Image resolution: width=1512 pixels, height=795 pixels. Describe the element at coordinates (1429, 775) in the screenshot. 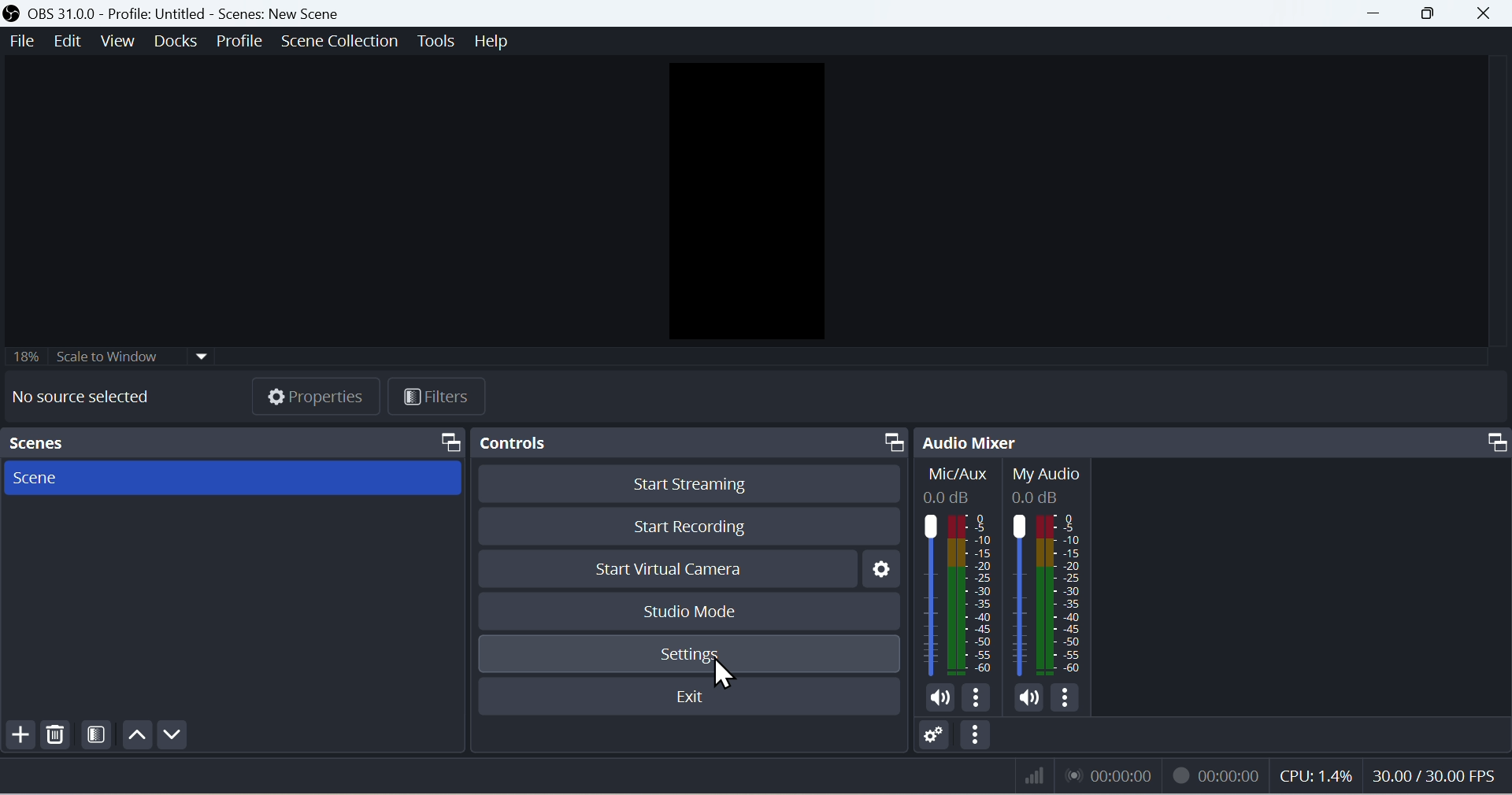

I see `30.00/30.00 FPS` at that location.